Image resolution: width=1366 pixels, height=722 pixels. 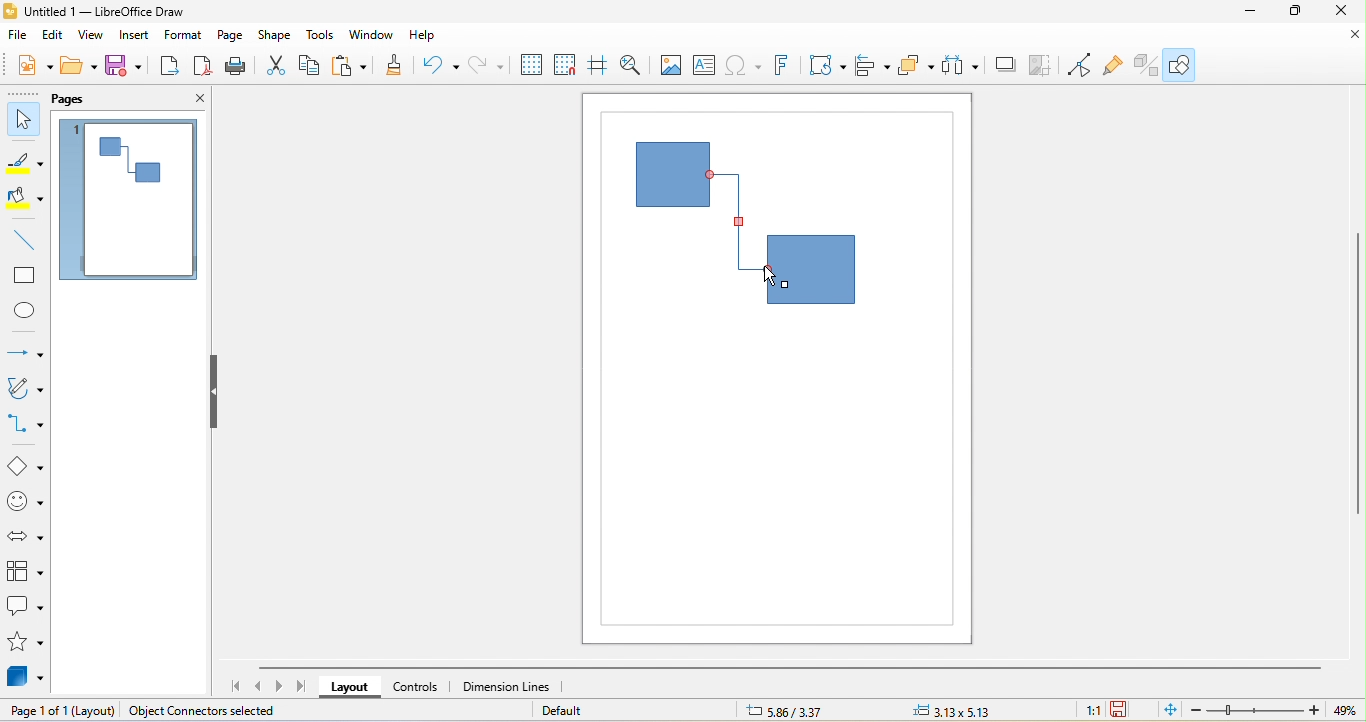 I want to click on help, so click(x=425, y=36).